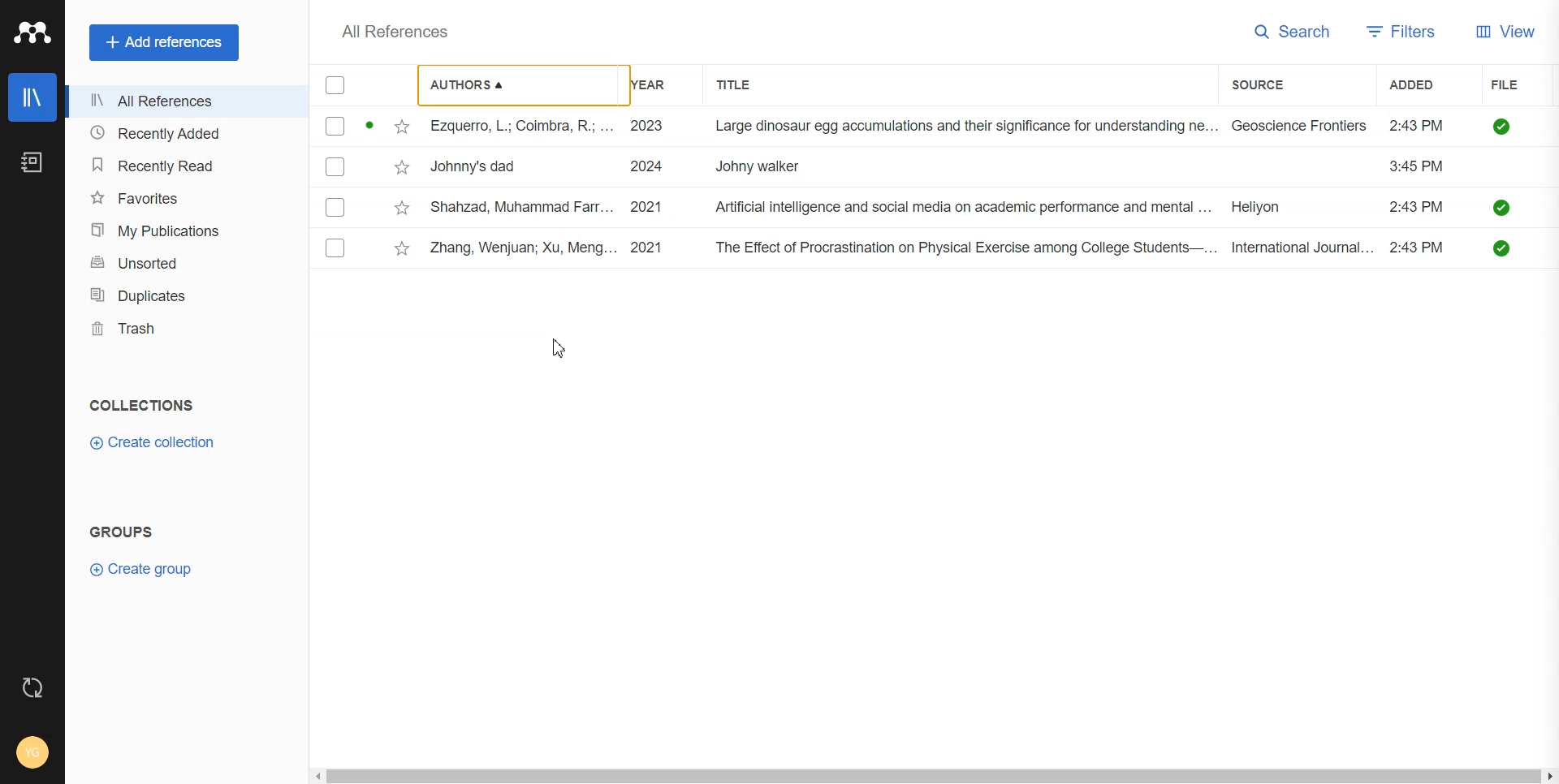  Describe the element at coordinates (180, 197) in the screenshot. I see `Favorites` at that location.